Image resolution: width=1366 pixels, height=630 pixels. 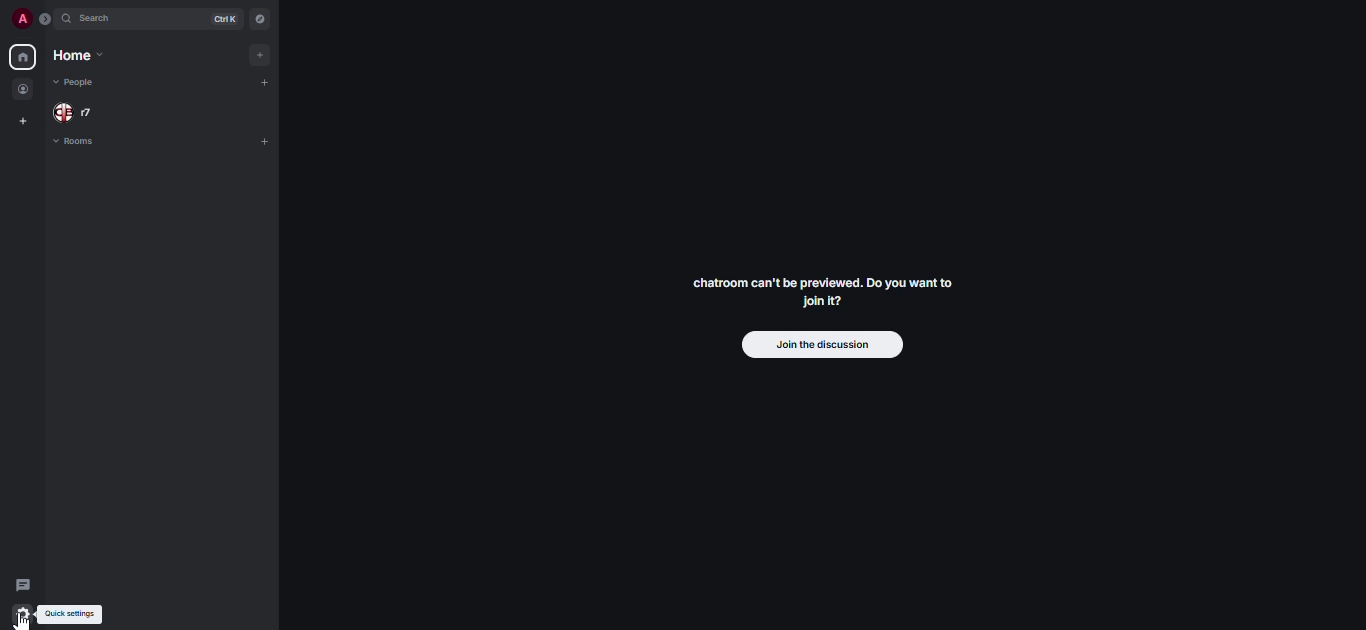 What do you see at coordinates (21, 57) in the screenshot?
I see `home` at bounding box center [21, 57].